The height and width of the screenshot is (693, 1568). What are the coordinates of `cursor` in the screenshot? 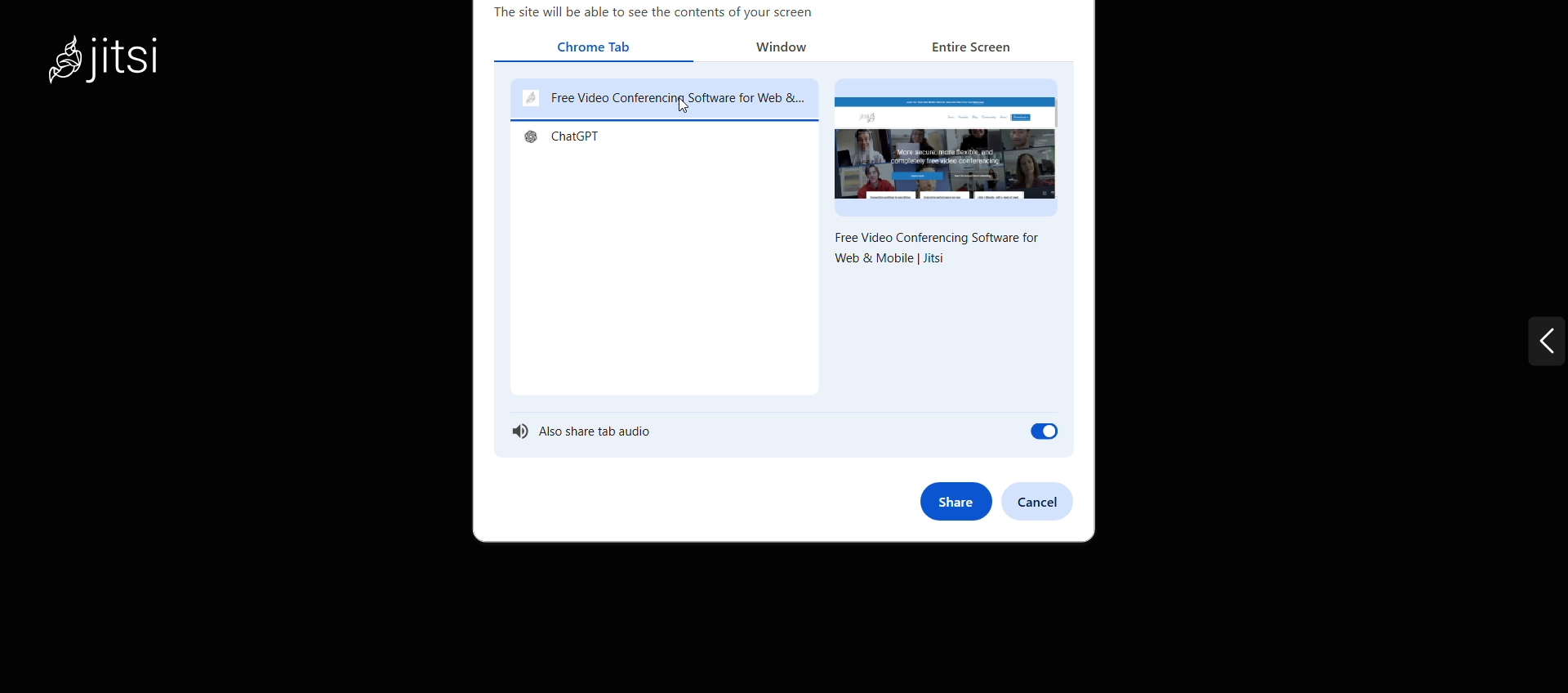 It's located at (683, 107).